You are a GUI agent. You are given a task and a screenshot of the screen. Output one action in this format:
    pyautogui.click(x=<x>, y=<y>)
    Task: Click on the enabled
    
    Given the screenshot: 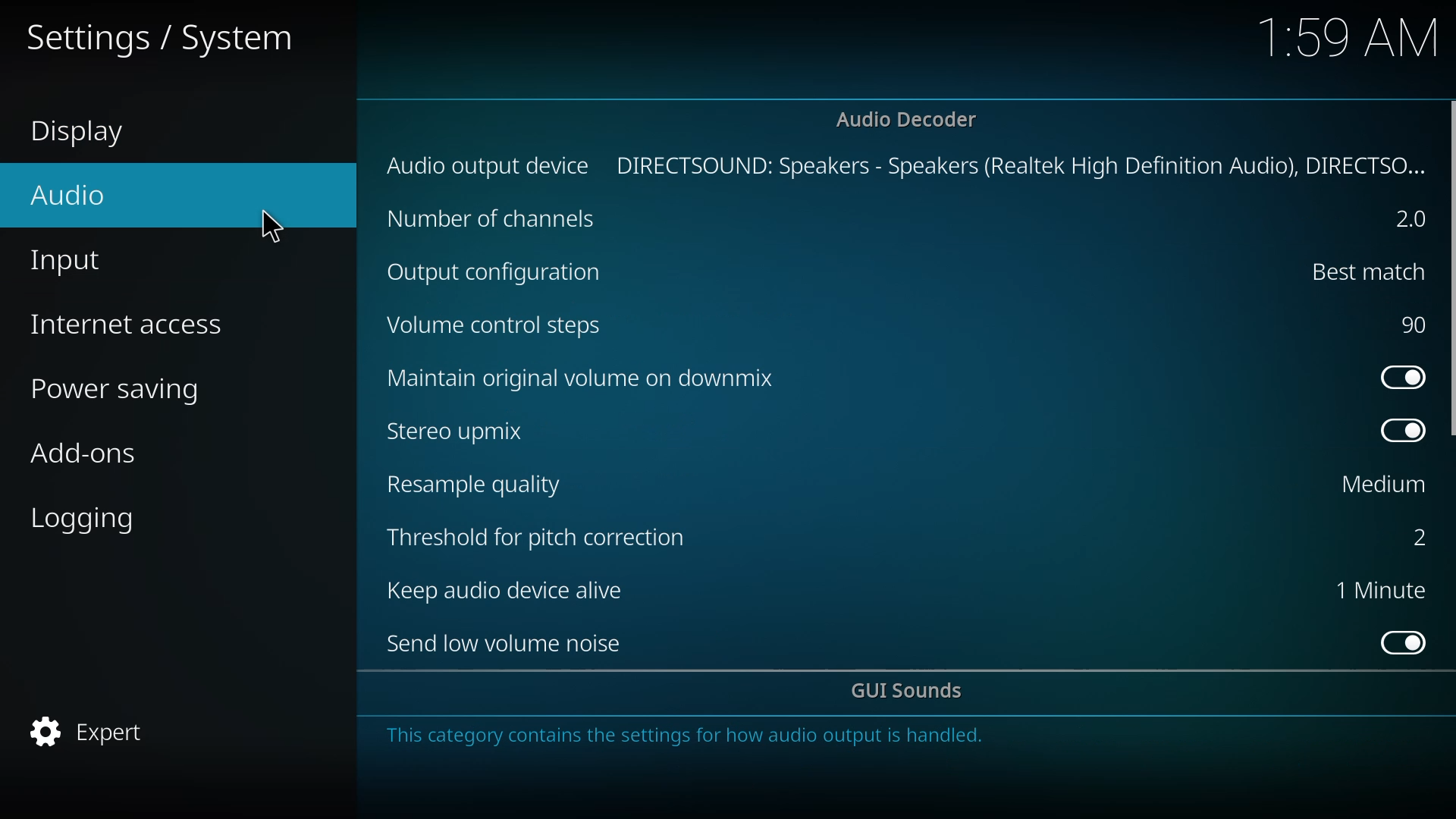 What is the action you would take?
    pyautogui.click(x=1398, y=641)
    